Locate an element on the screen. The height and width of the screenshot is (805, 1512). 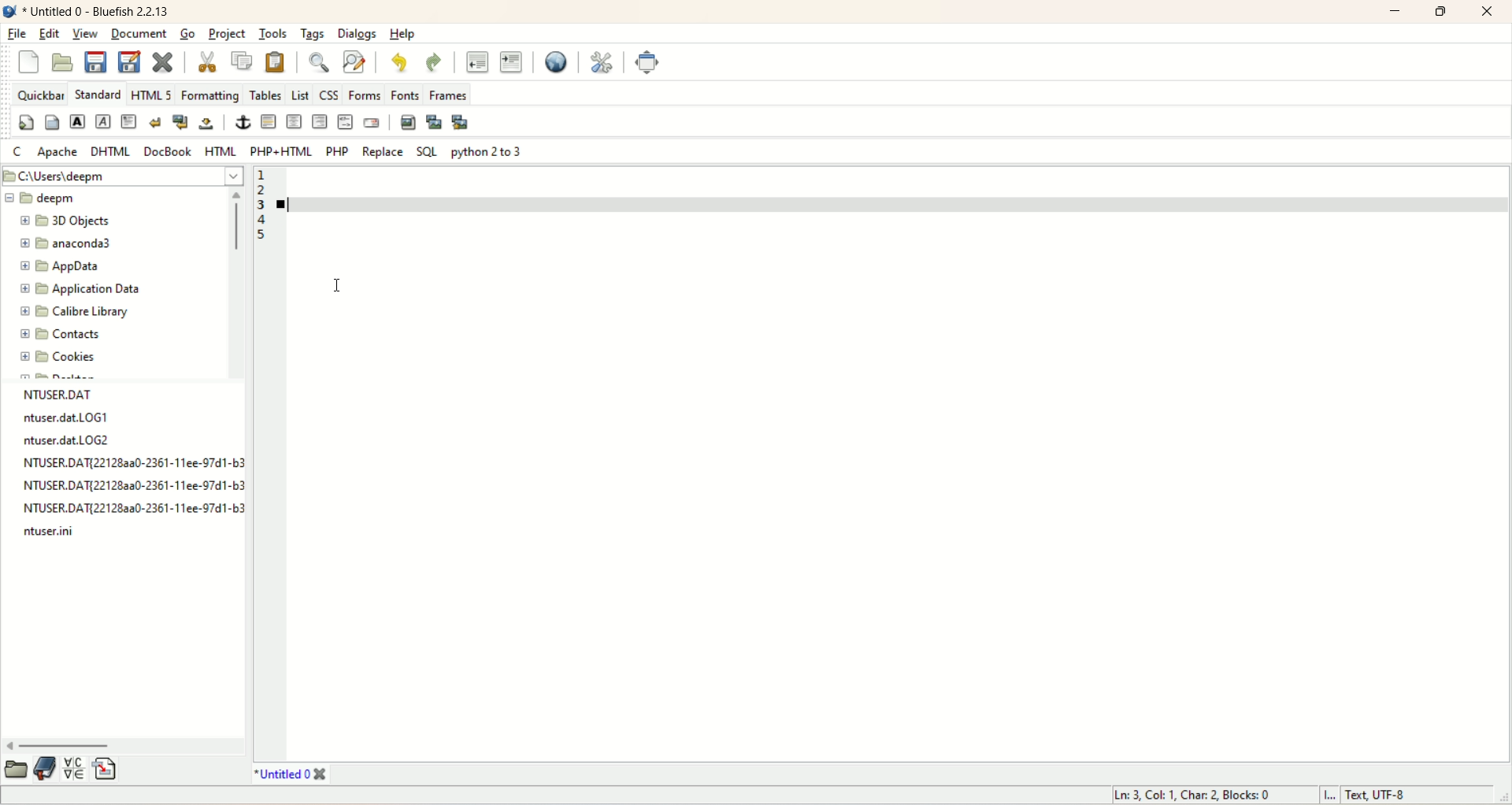
break is located at coordinates (156, 121).